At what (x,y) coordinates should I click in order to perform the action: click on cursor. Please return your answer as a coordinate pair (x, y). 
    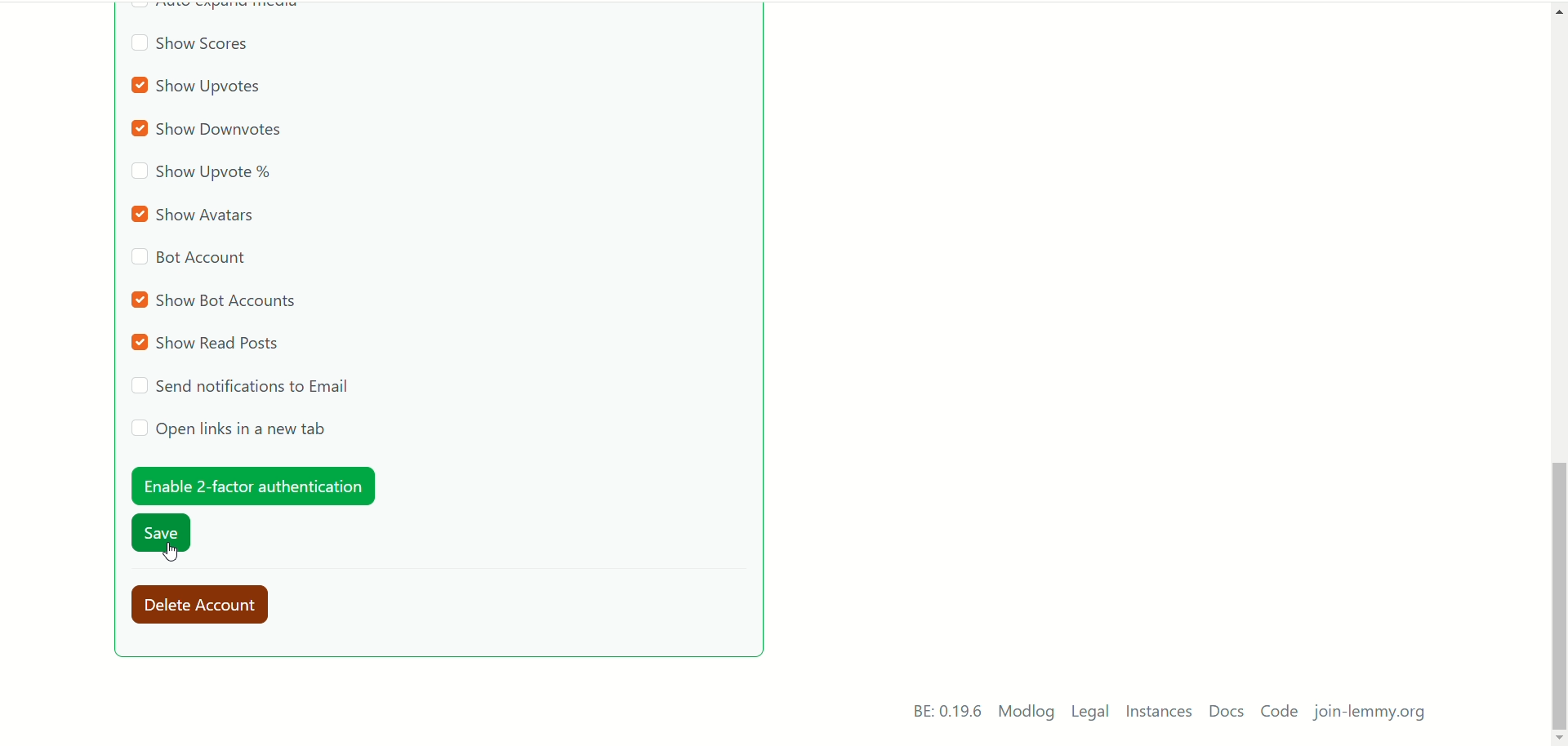
    Looking at the image, I should click on (171, 550).